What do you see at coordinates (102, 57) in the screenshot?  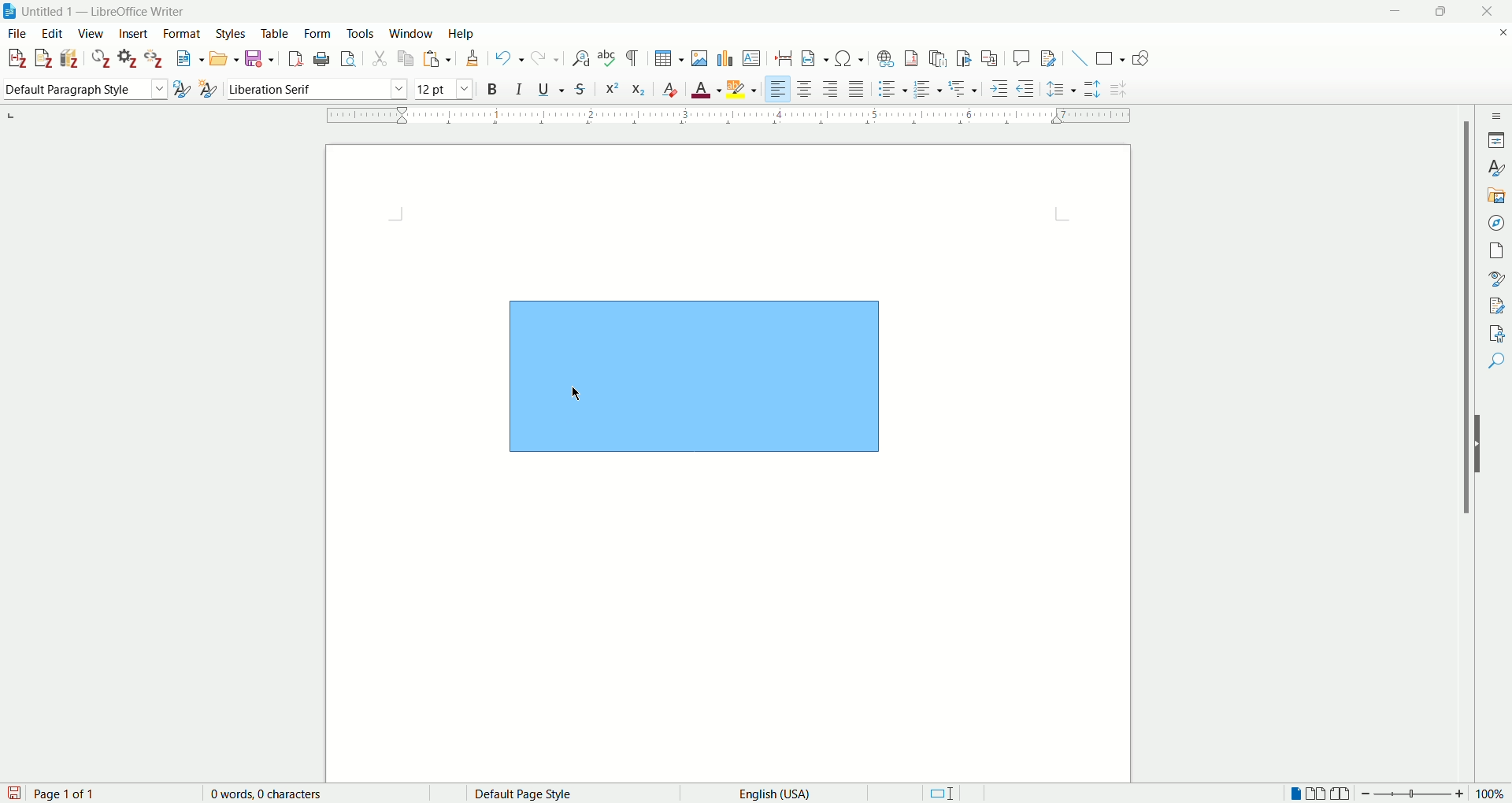 I see `refresh` at bounding box center [102, 57].